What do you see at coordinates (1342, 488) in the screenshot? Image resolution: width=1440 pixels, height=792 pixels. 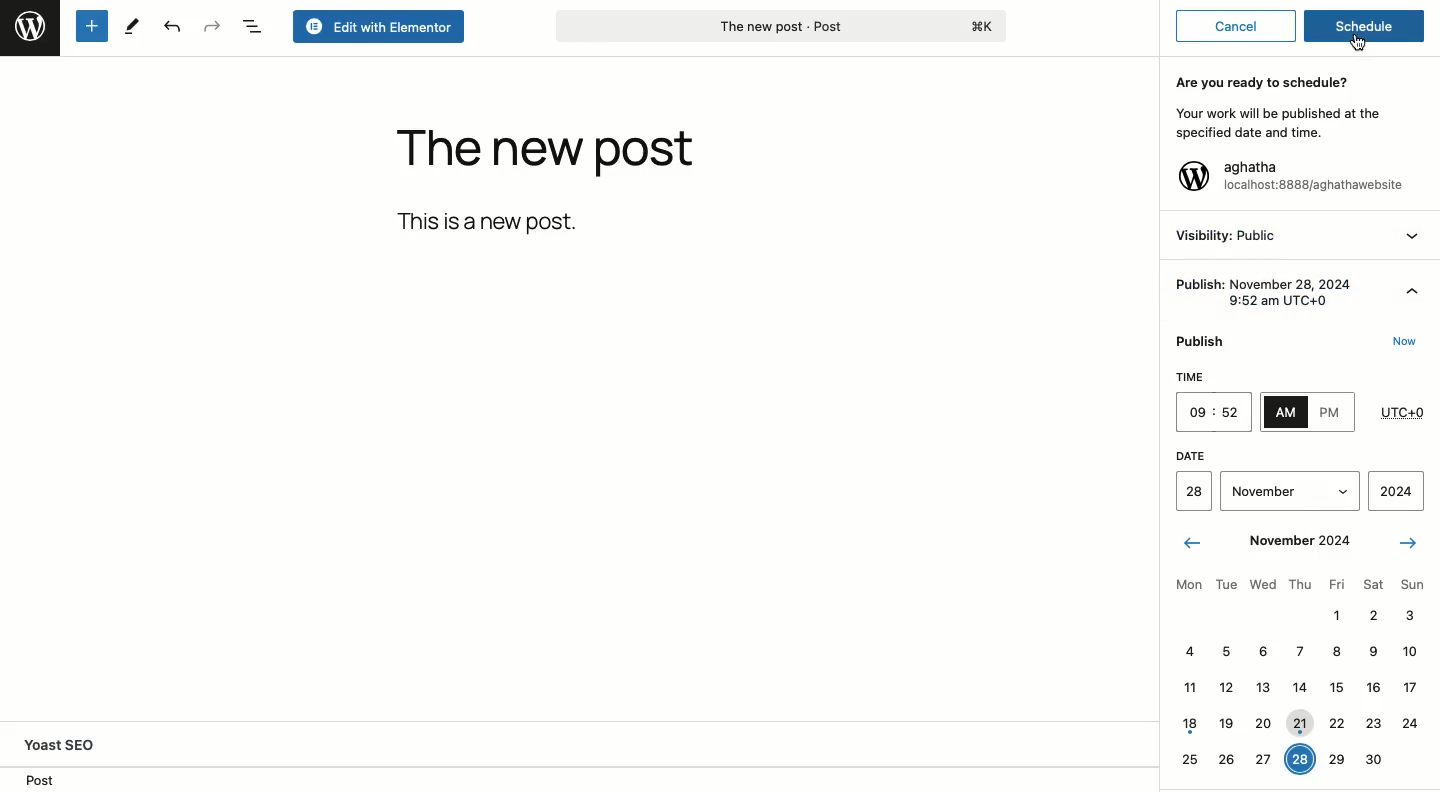 I see `Expand` at bounding box center [1342, 488].